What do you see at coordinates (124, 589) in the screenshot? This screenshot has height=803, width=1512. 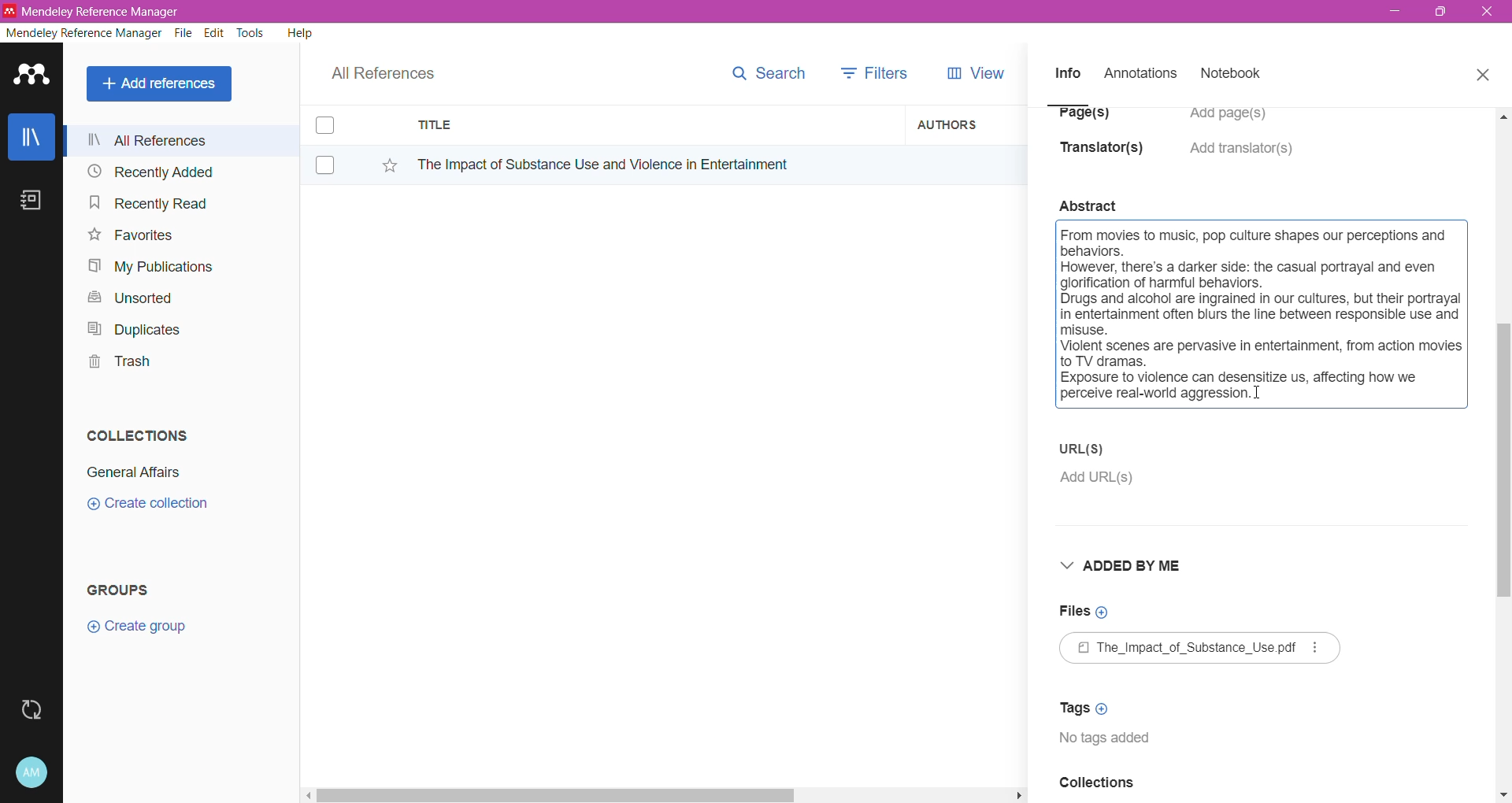 I see `Groups` at bounding box center [124, 589].